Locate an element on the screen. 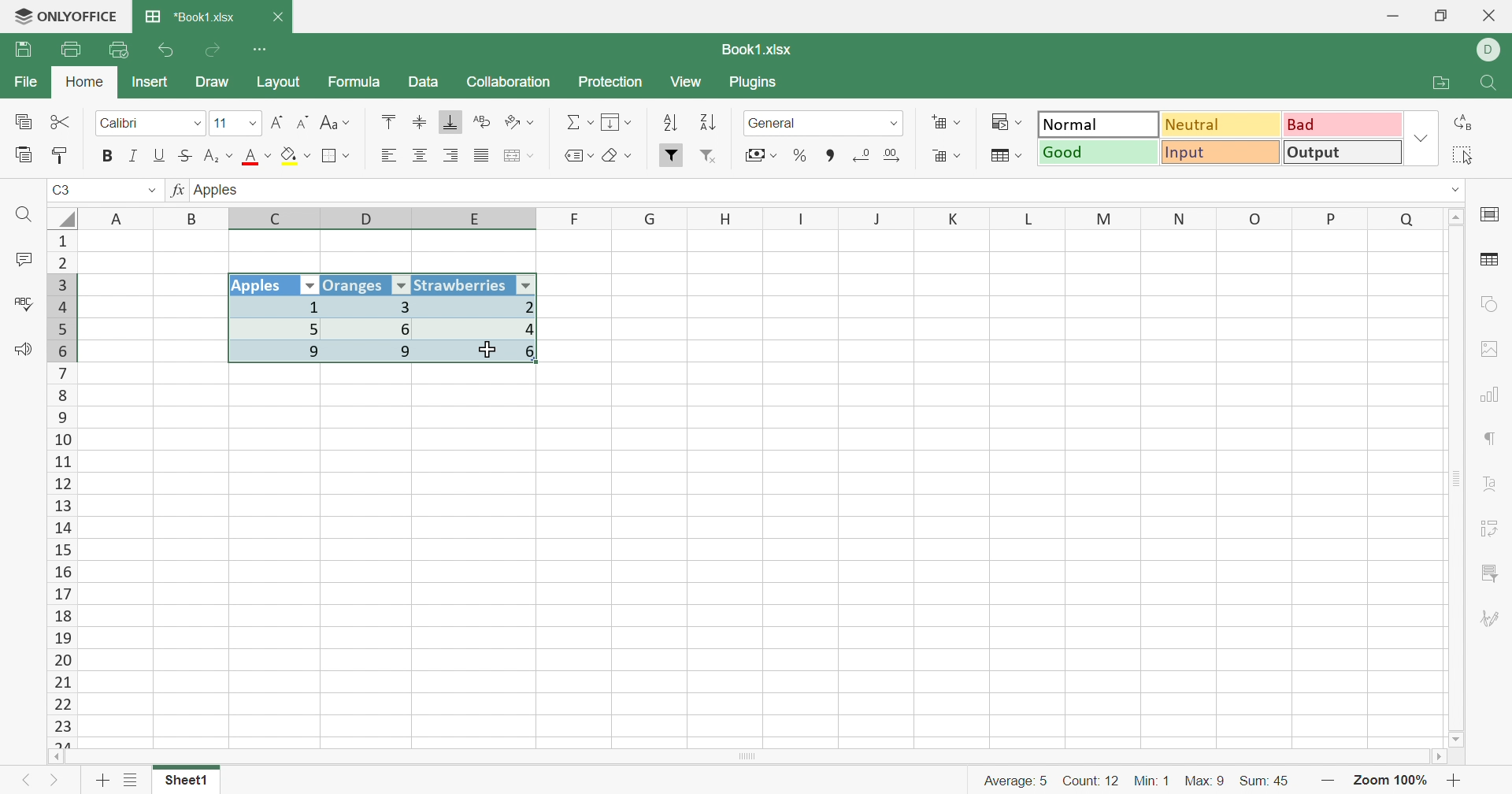  Previous is located at coordinates (24, 784).